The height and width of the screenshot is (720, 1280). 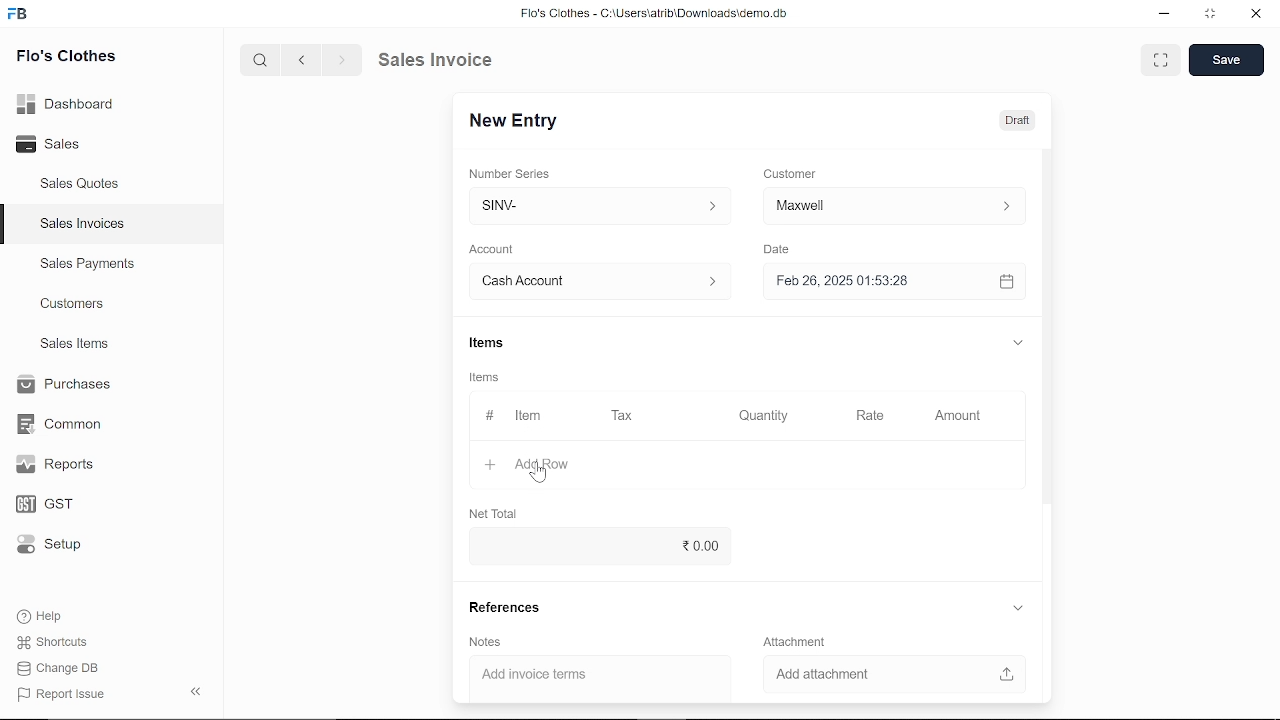 What do you see at coordinates (870, 282) in the screenshot?
I see `Feb 26, 2025 01:53:28` at bounding box center [870, 282].